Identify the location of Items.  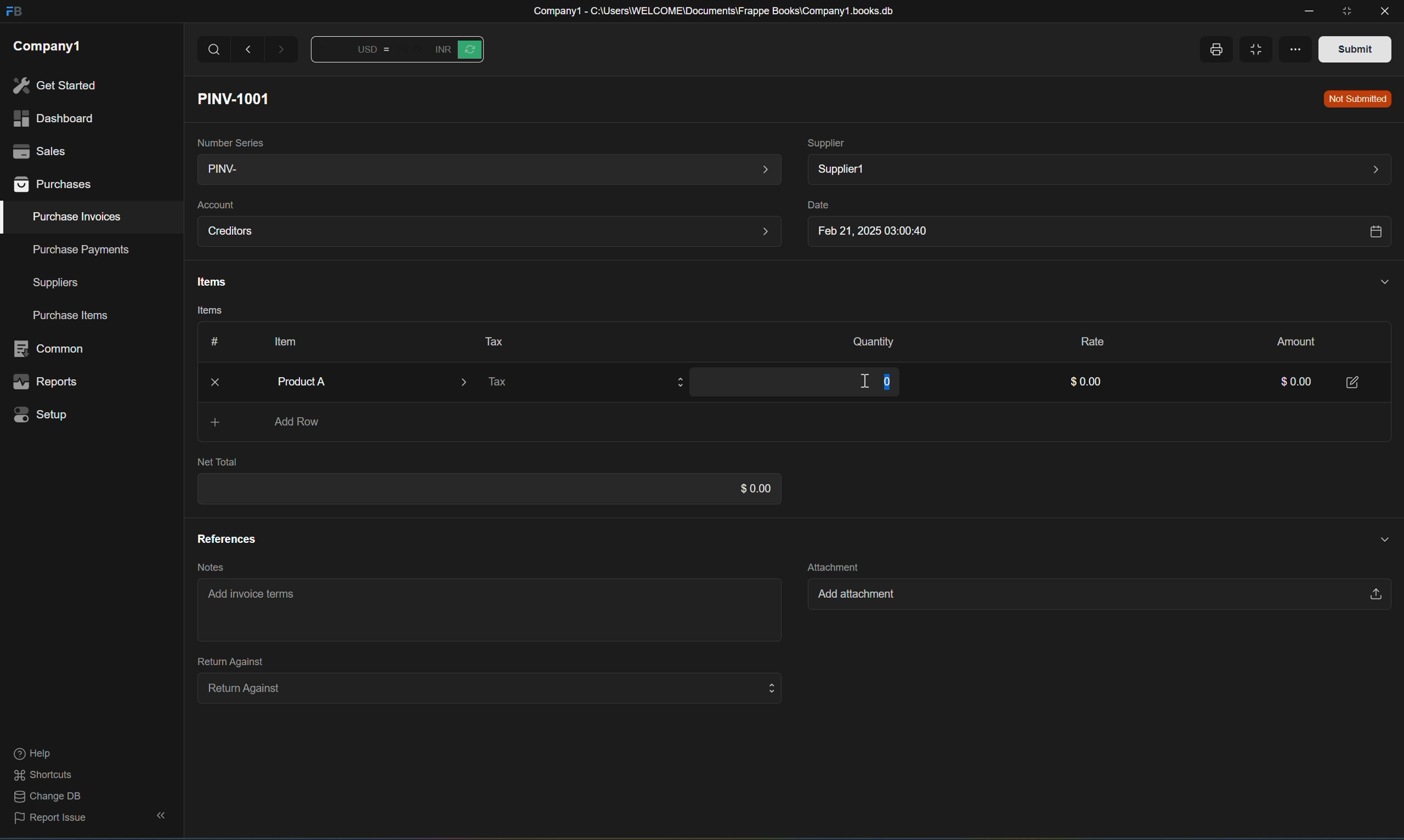
(205, 312).